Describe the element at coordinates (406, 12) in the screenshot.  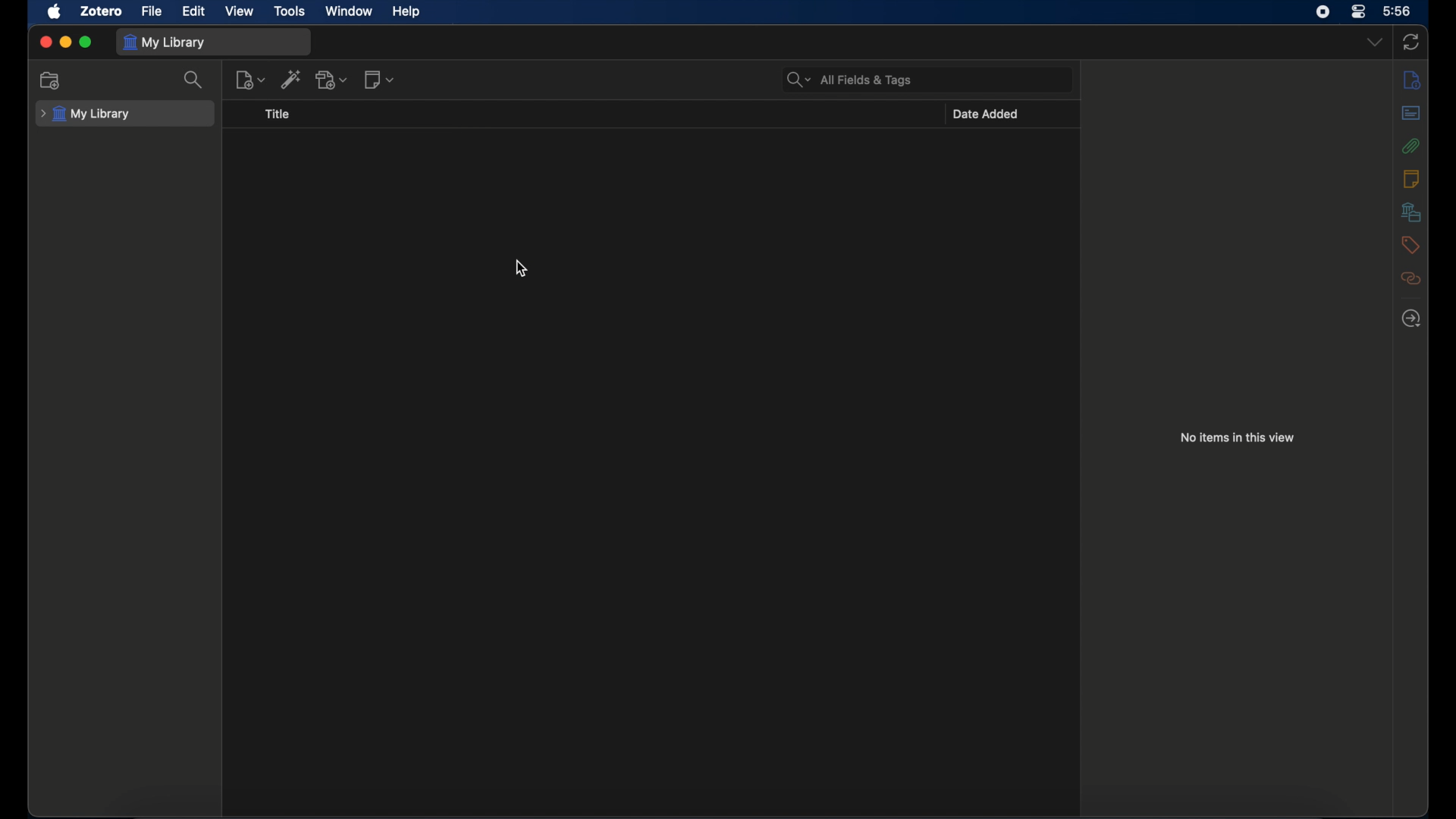
I see `help` at that location.